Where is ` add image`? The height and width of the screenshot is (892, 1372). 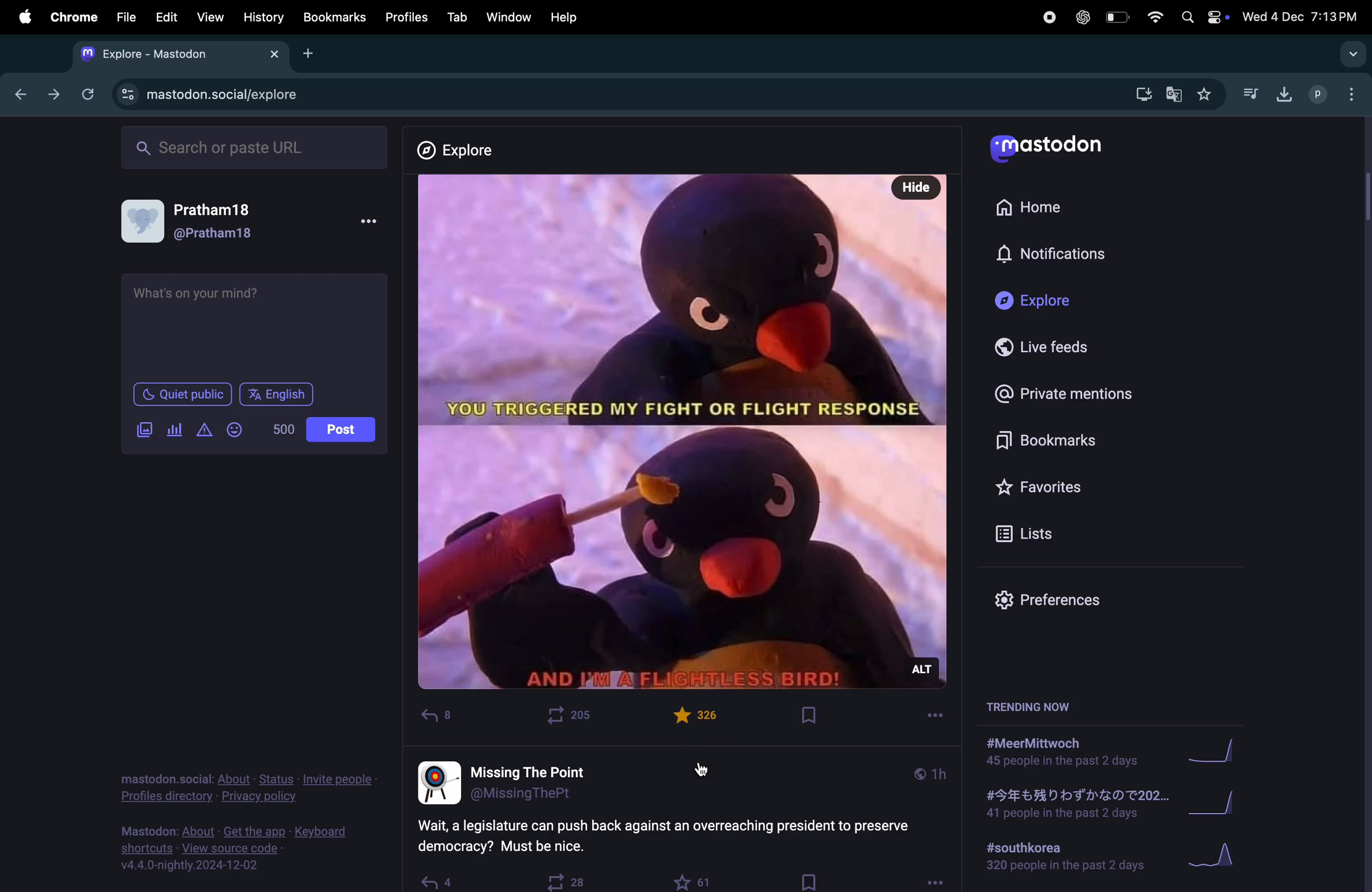
 add image is located at coordinates (147, 428).